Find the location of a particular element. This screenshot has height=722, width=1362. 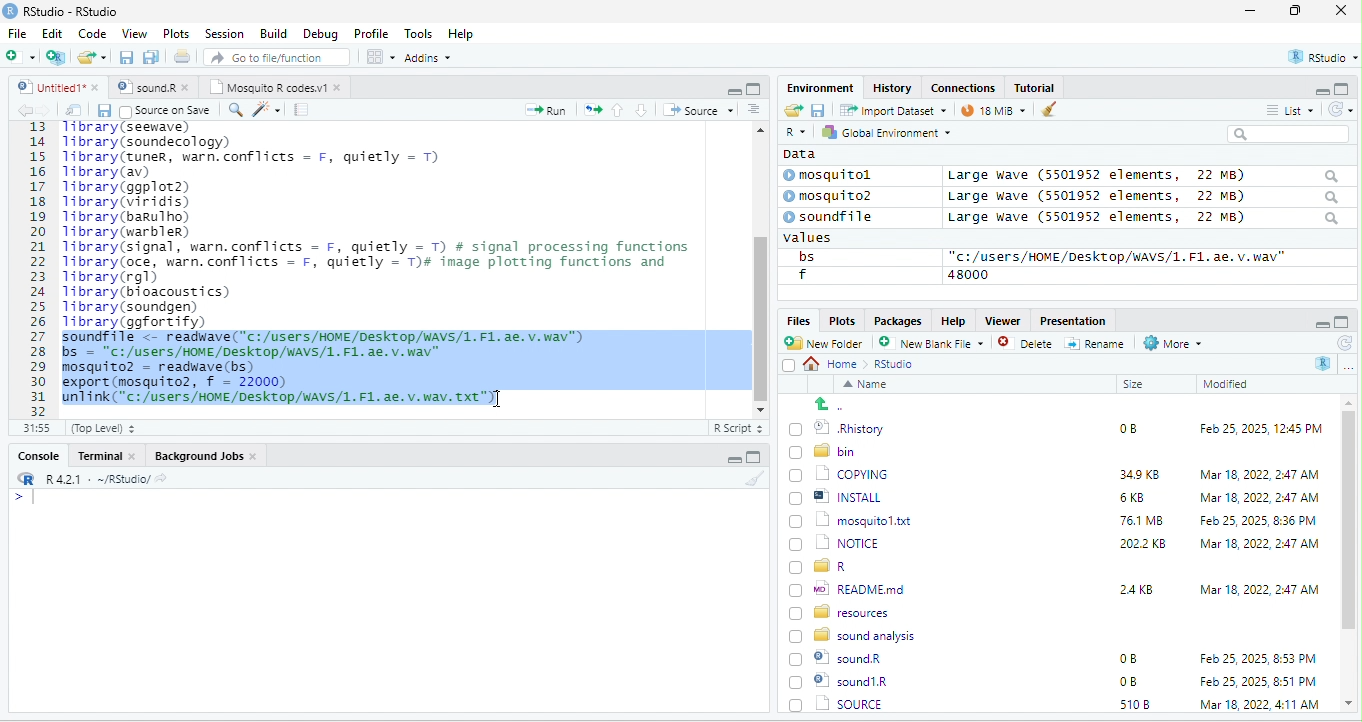

Mar 18, 2022, 4:11 AM is located at coordinates (1258, 681).